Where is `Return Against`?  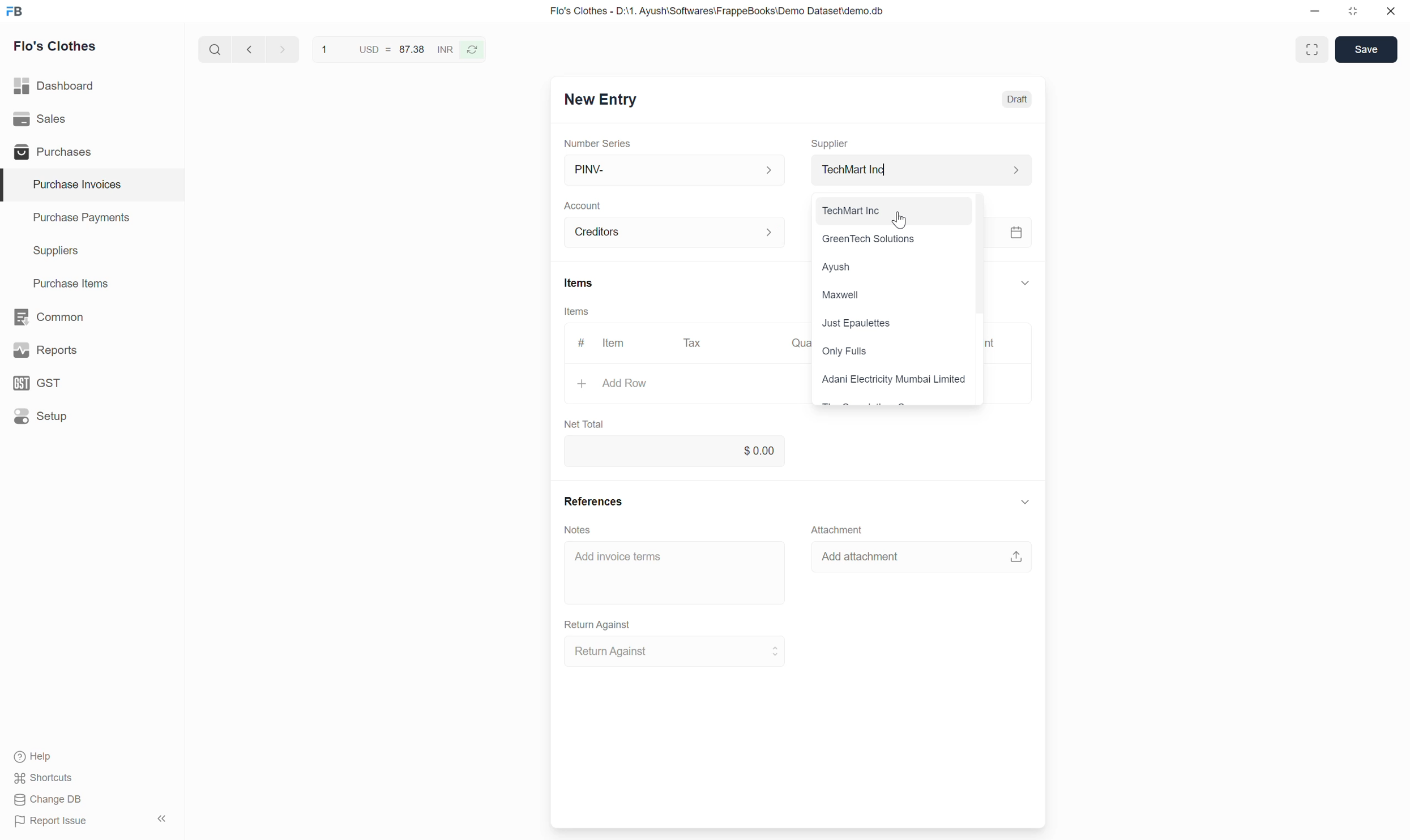 Return Against is located at coordinates (599, 623).